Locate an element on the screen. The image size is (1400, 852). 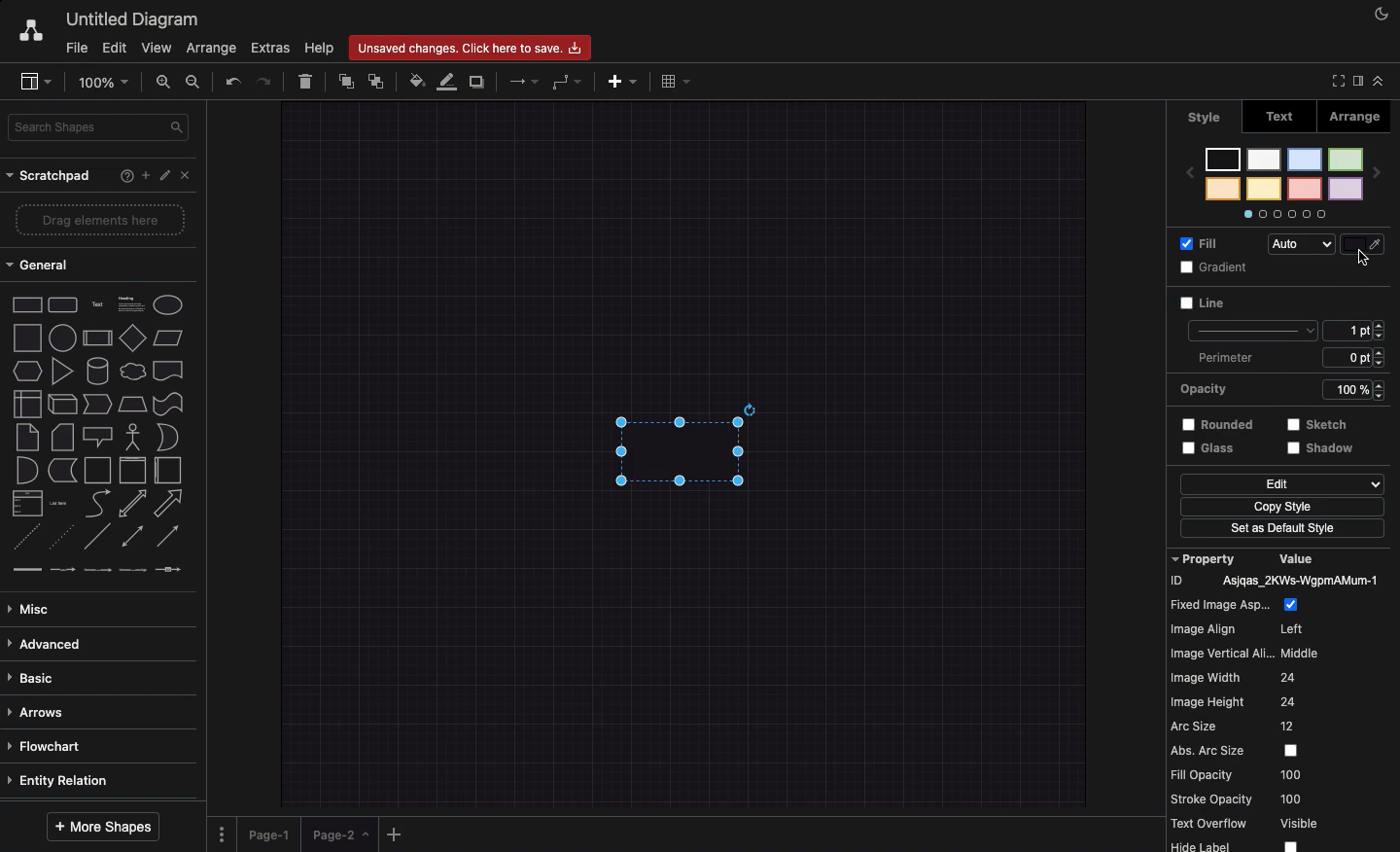
Undo is located at coordinates (231, 80).